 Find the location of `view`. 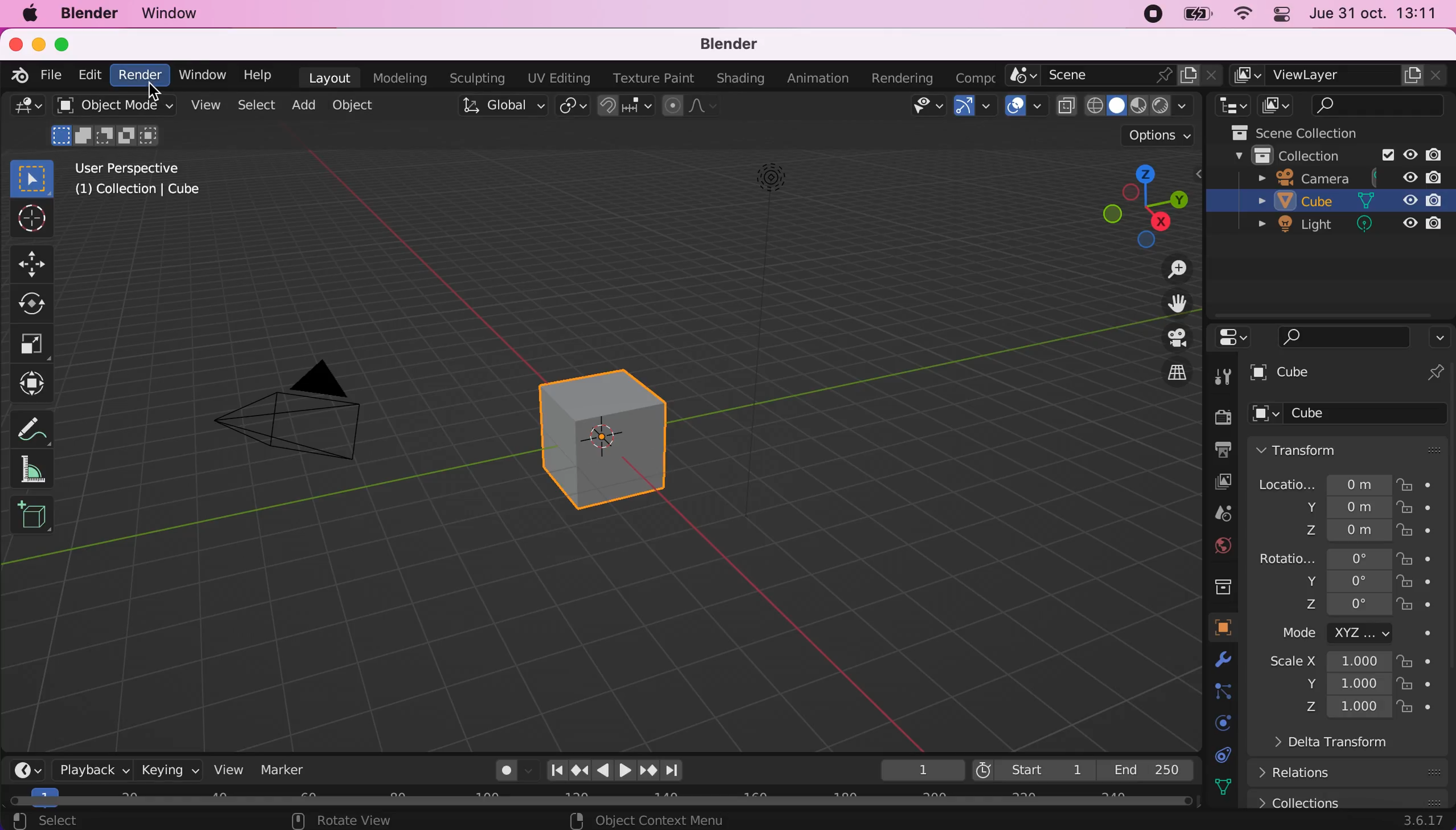

view is located at coordinates (205, 105).